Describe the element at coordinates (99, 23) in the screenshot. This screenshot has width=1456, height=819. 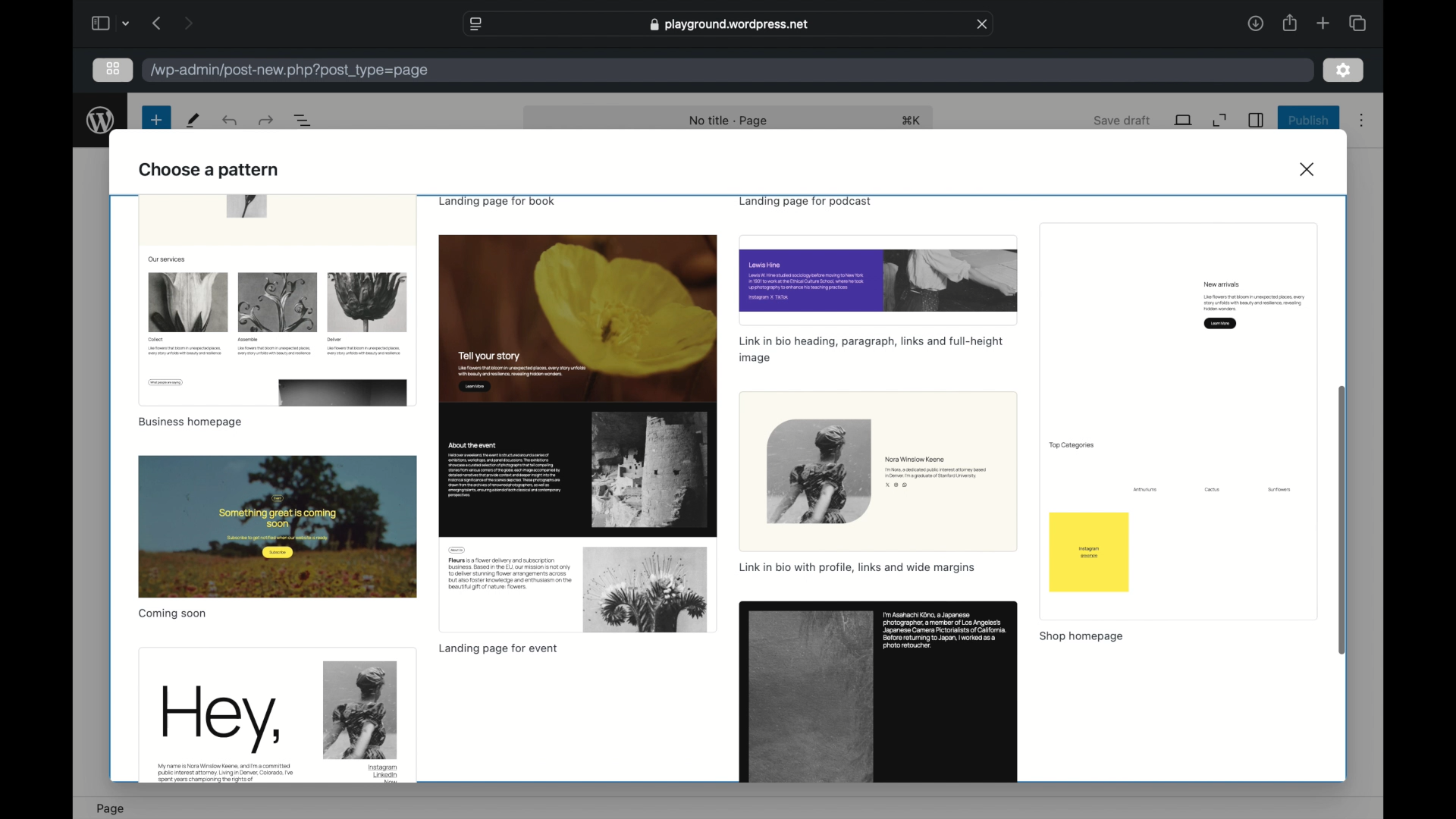
I see `sidebar` at that location.